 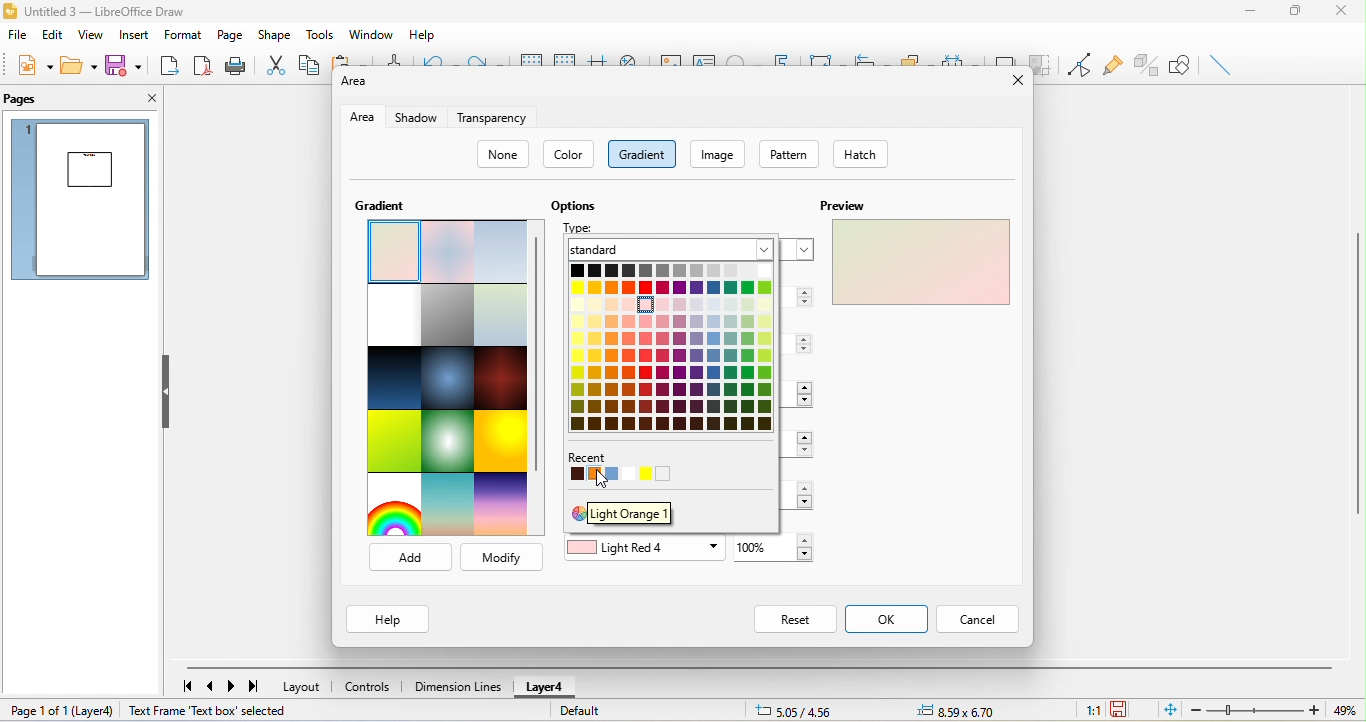 What do you see at coordinates (417, 116) in the screenshot?
I see `shadow` at bounding box center [417, 116].